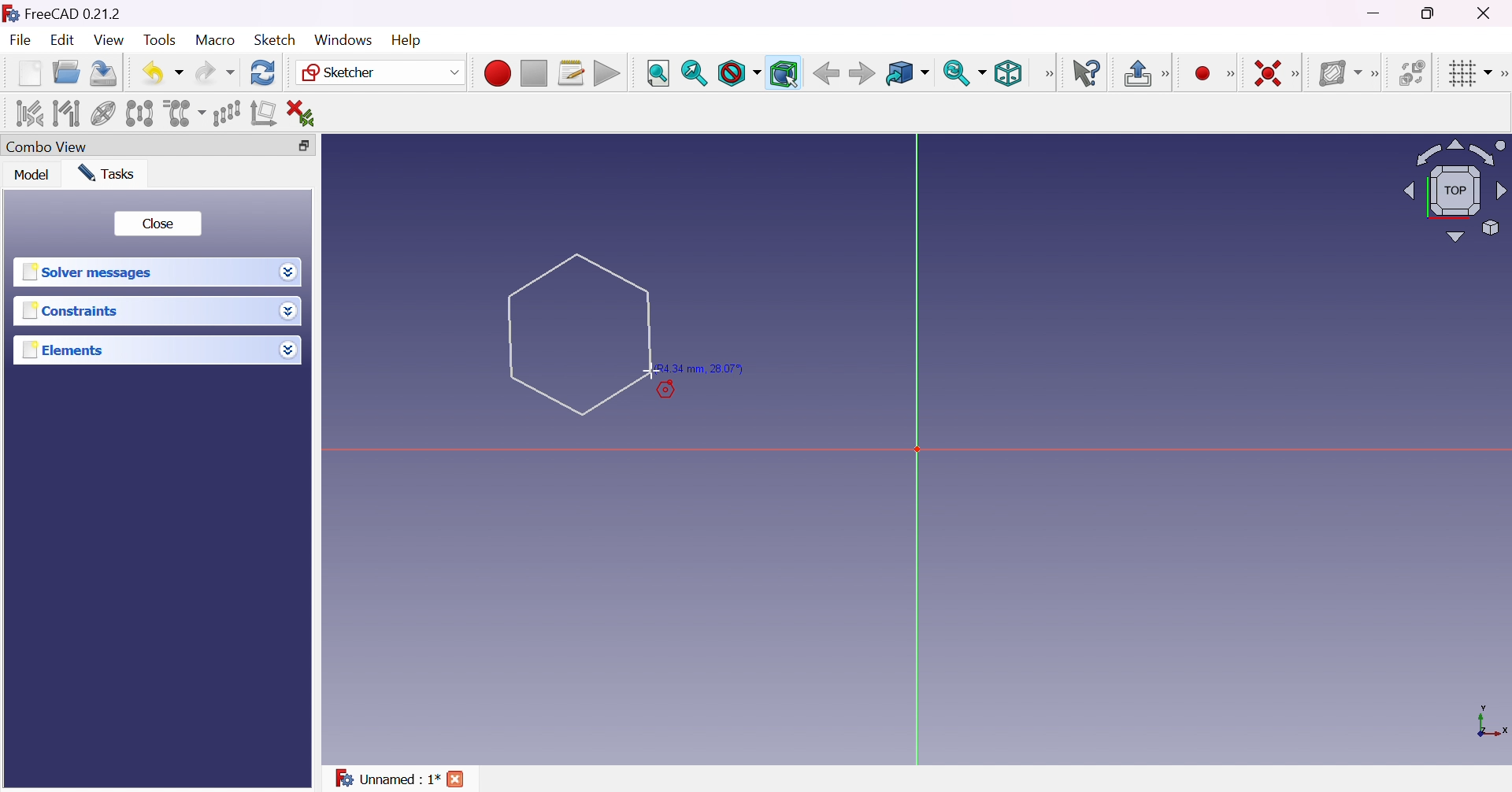 The width and height of the screenshot is (1512, 792). I want to click on Fit all, so click(659, 74).